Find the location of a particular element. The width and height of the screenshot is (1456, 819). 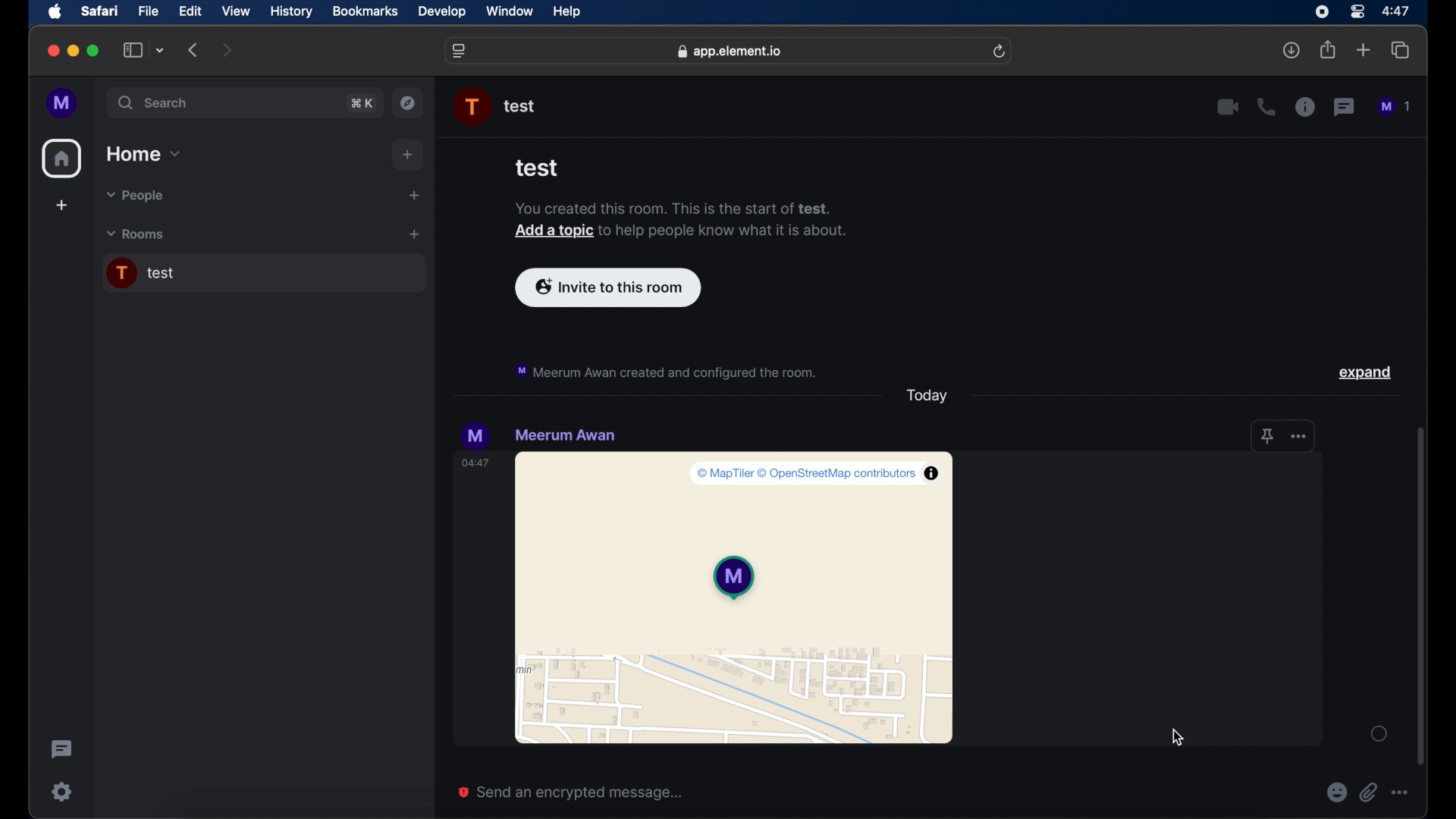

chat properties is located at coordinates (1305, 108).